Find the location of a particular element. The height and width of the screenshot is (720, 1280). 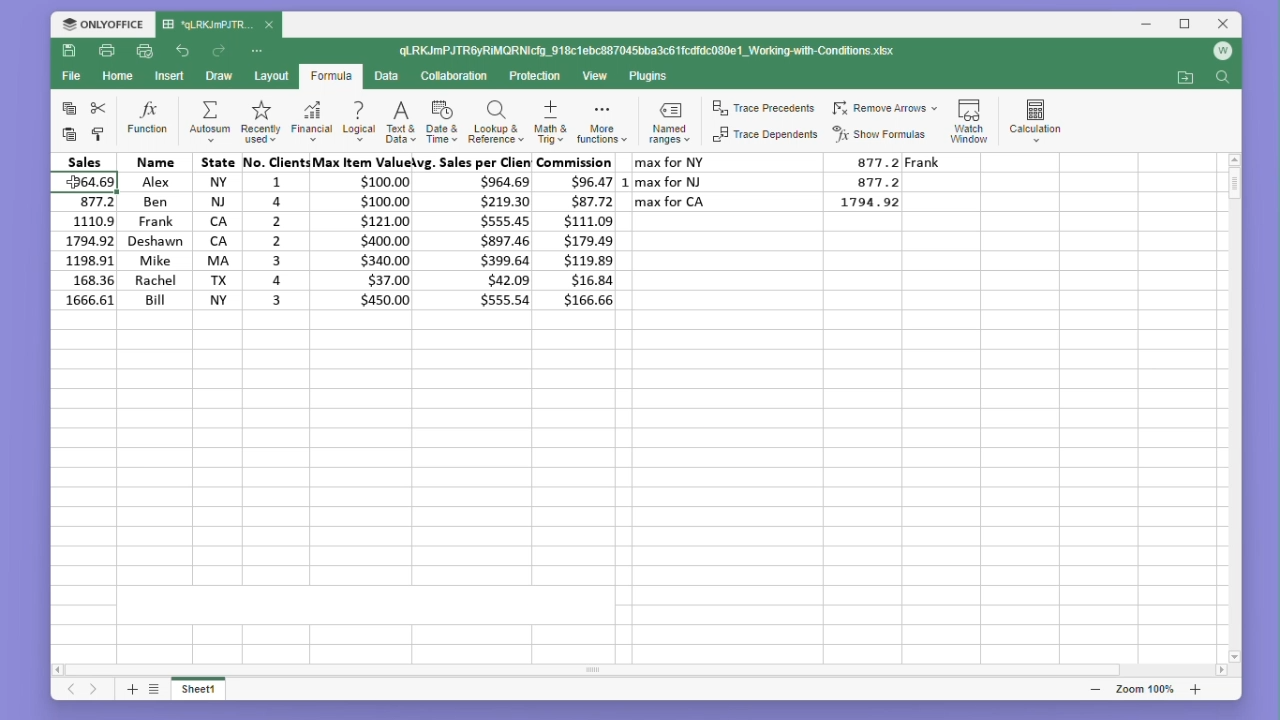

scroll down is located at coordinates (1235, 656).